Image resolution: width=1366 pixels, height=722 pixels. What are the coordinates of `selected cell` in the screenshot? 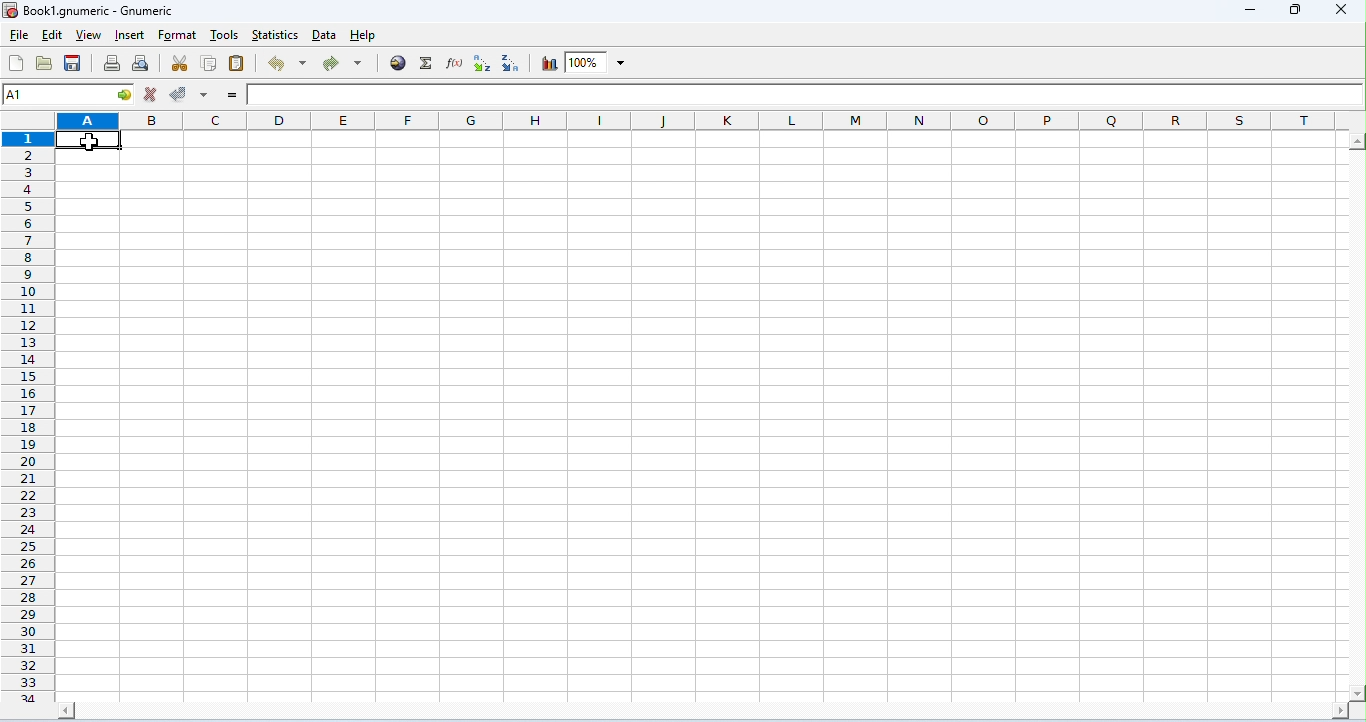 It's located at (90, 141).